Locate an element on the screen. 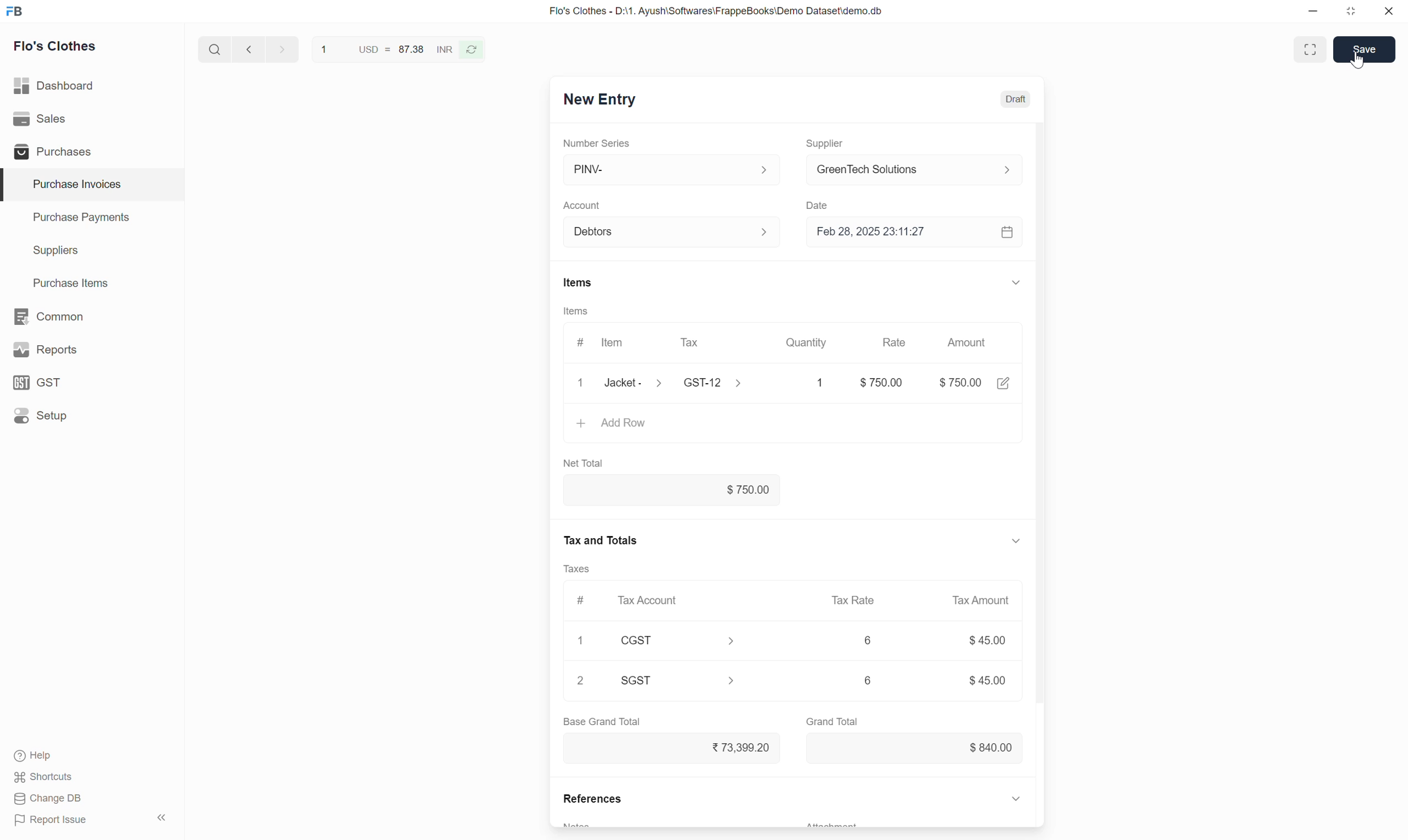 The width and height of the screenshot is (1408, 840). Amount is located at coordinates (969, 342).